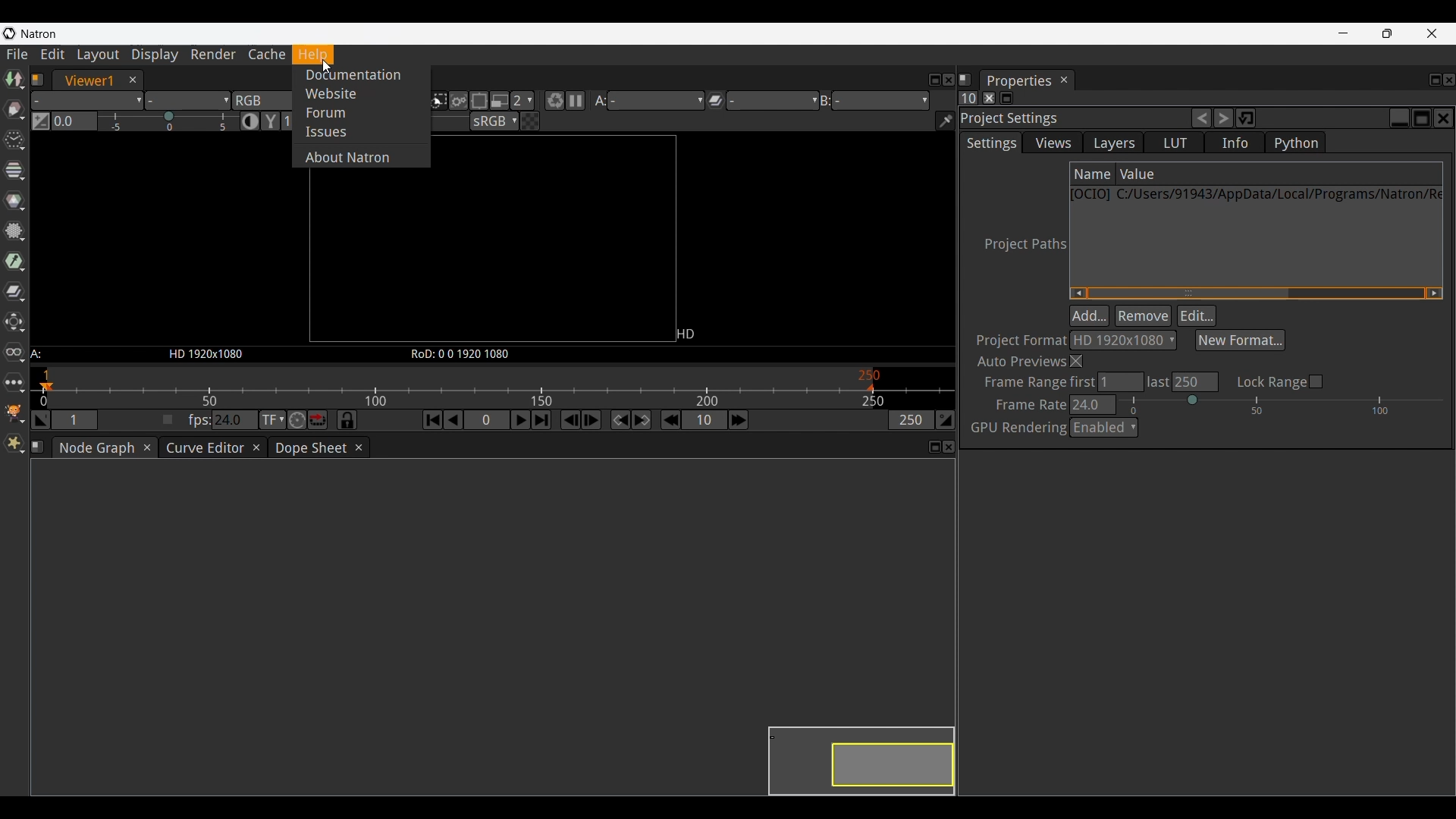 Image resolution: width=1456 pixels, height=819 pixels. I want to click on Previous increment, so click(671, 420).